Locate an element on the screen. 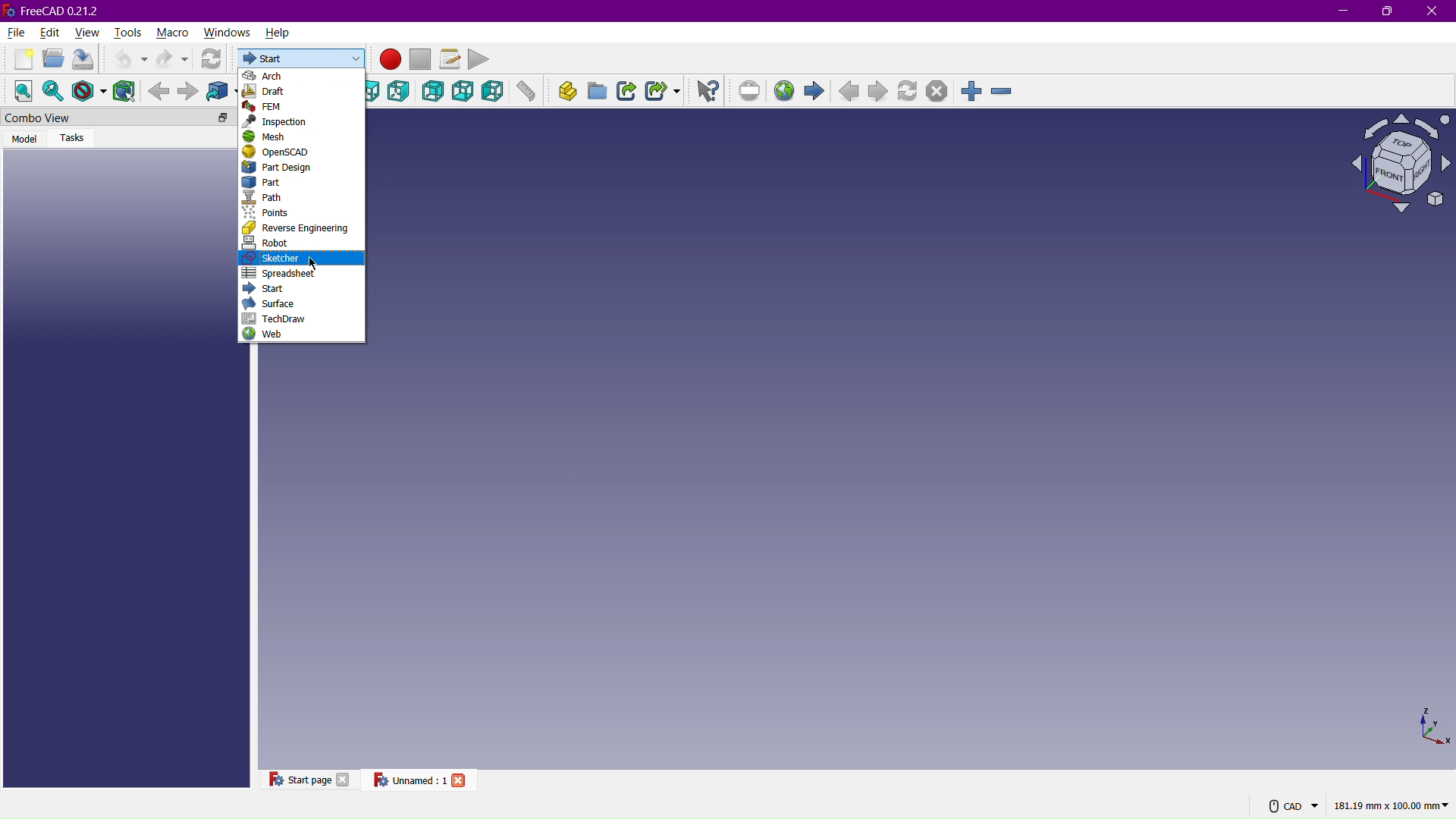  Save is located at coordinates (83, 58).